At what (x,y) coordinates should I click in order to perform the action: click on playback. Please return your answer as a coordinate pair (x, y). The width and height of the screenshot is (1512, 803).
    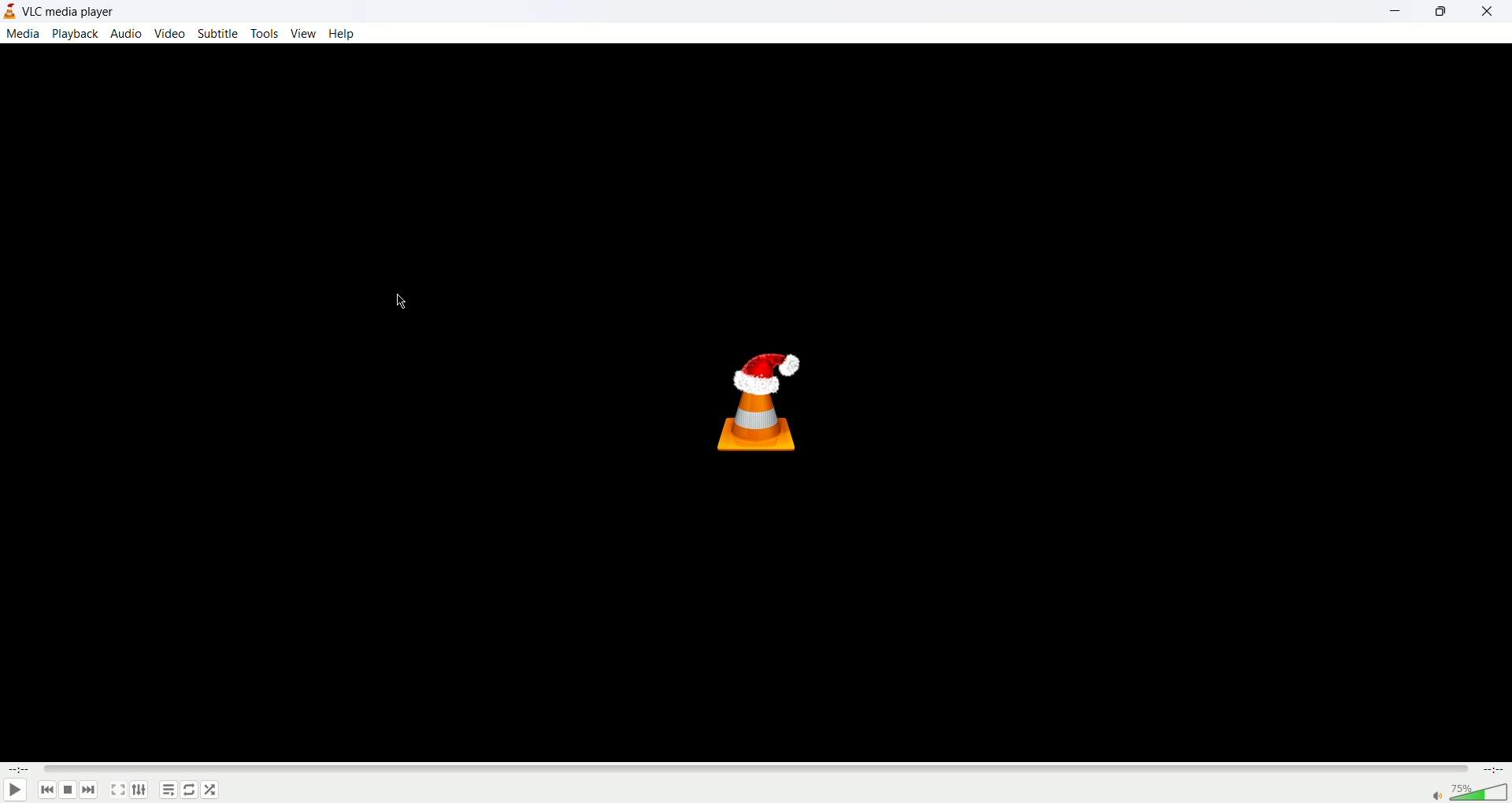
    Looking at the image, I should click on (76, 33).